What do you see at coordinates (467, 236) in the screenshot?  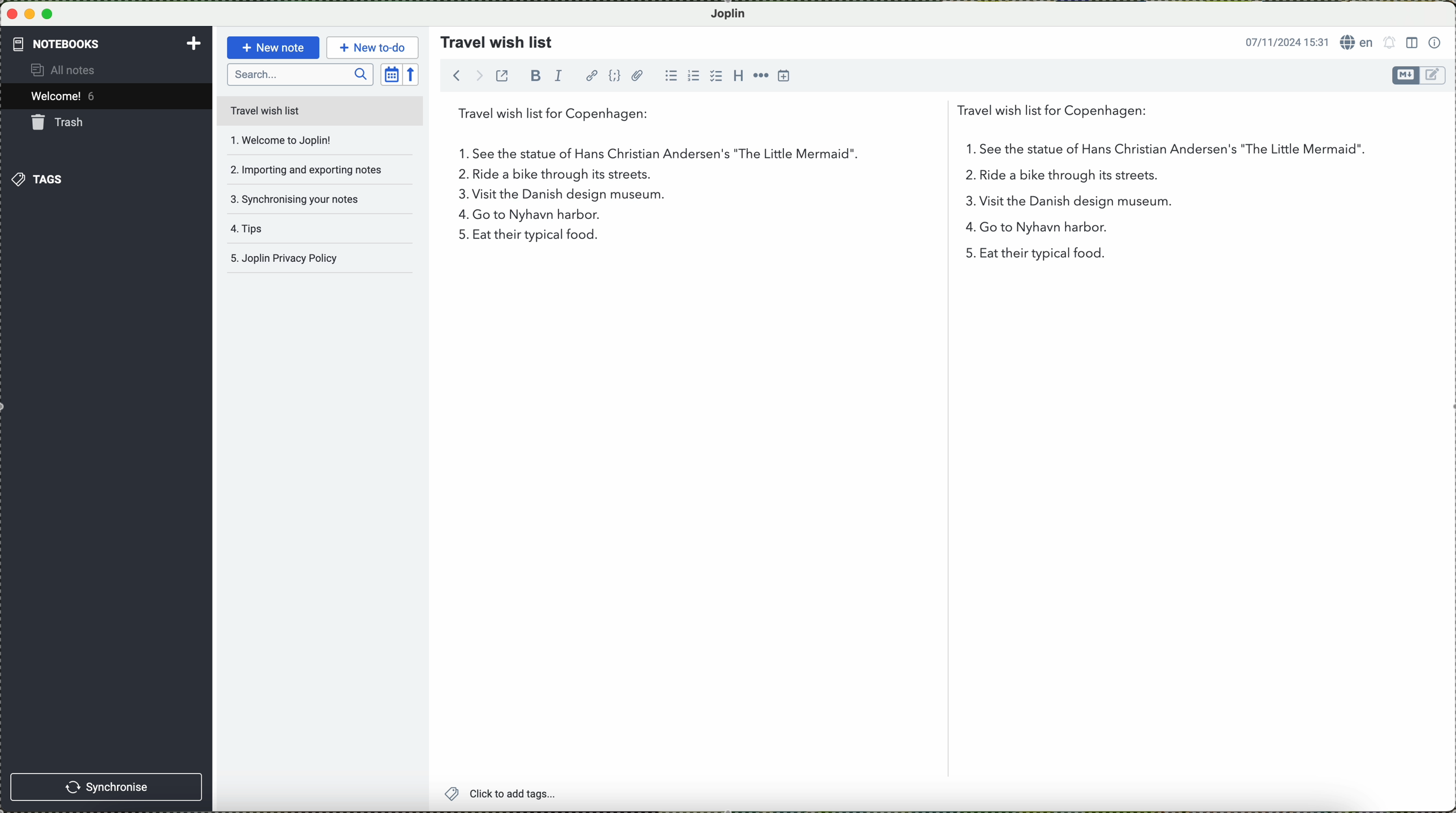 I see `5 on the list` at bounding box center [467, 236].